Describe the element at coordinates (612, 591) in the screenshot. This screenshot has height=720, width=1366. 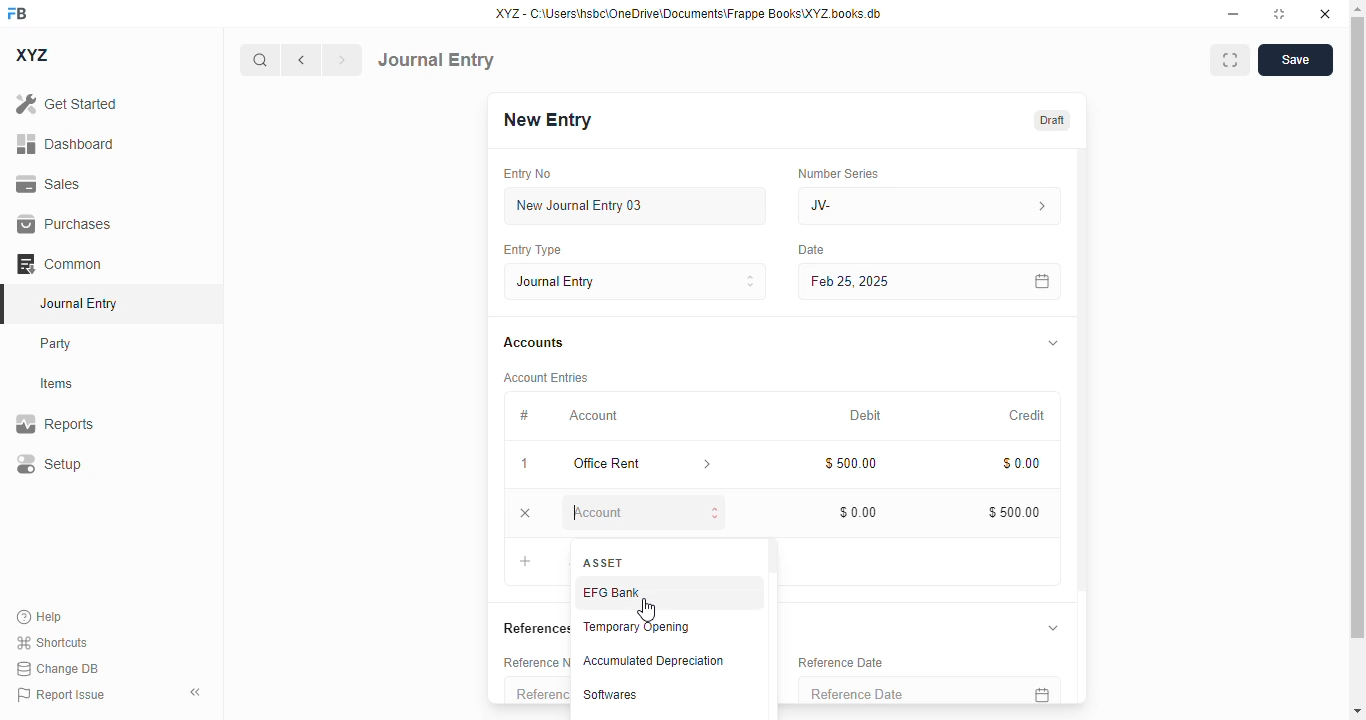
I see `EFG bank` at that location.